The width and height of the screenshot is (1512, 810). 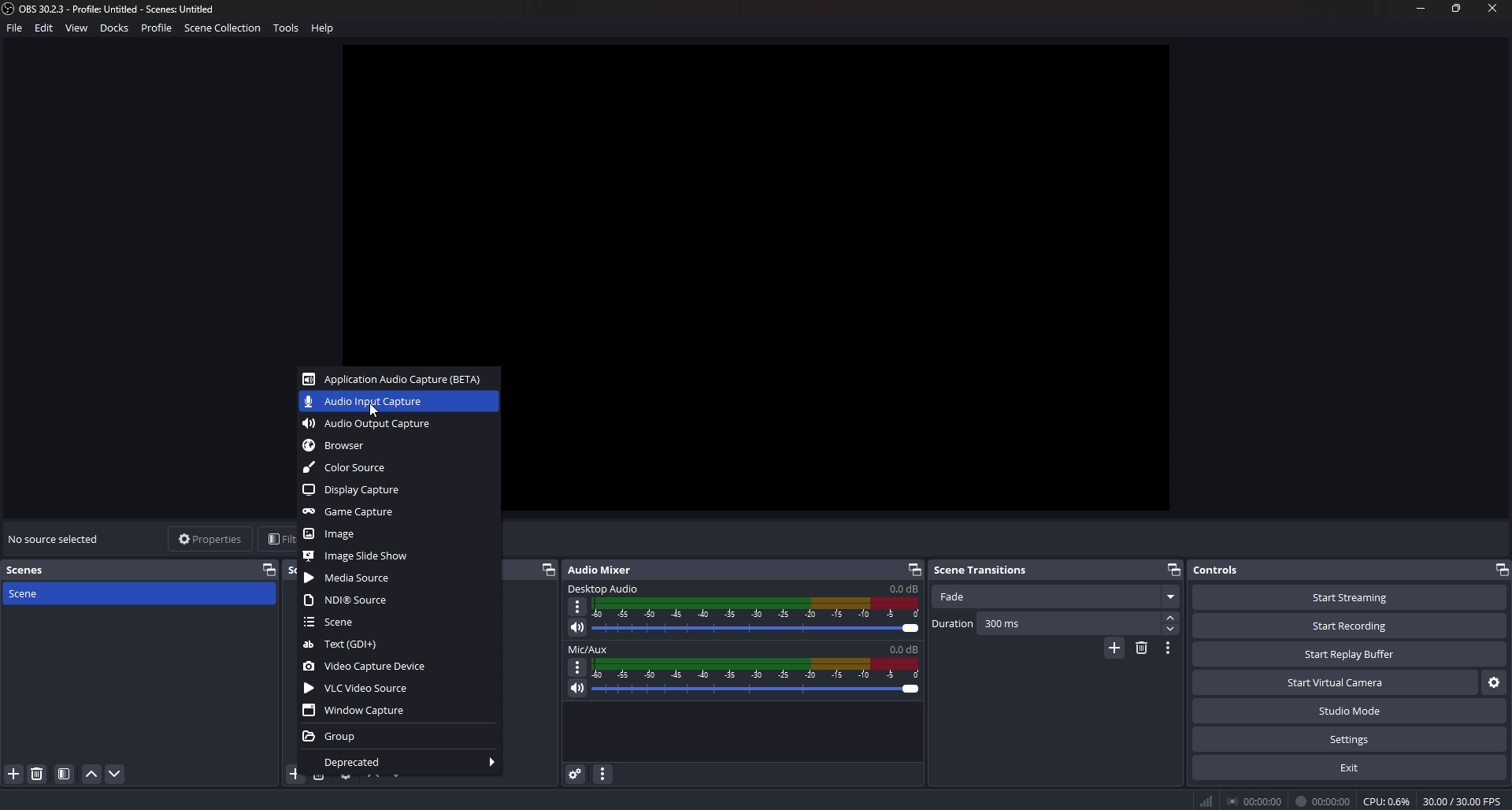 What do you see at coordinates (13, 32) in the screenshot?
I see `file` at bounding box center [13, 32].